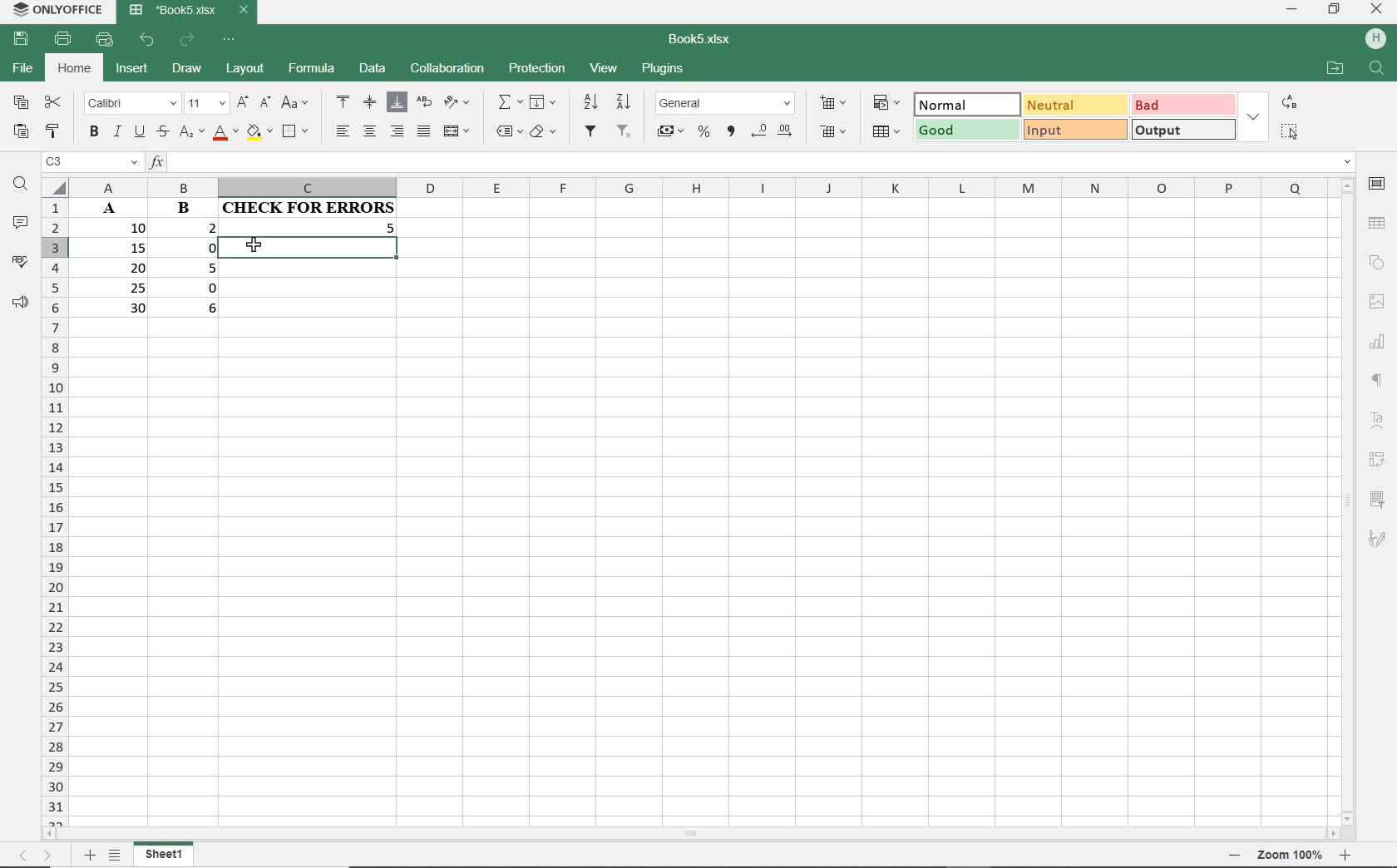 The width and height of the screenshot is (1397, 868). Describe the element at coordinates (245, 72) in the screenshot. I see `LAYOUT` at that location.